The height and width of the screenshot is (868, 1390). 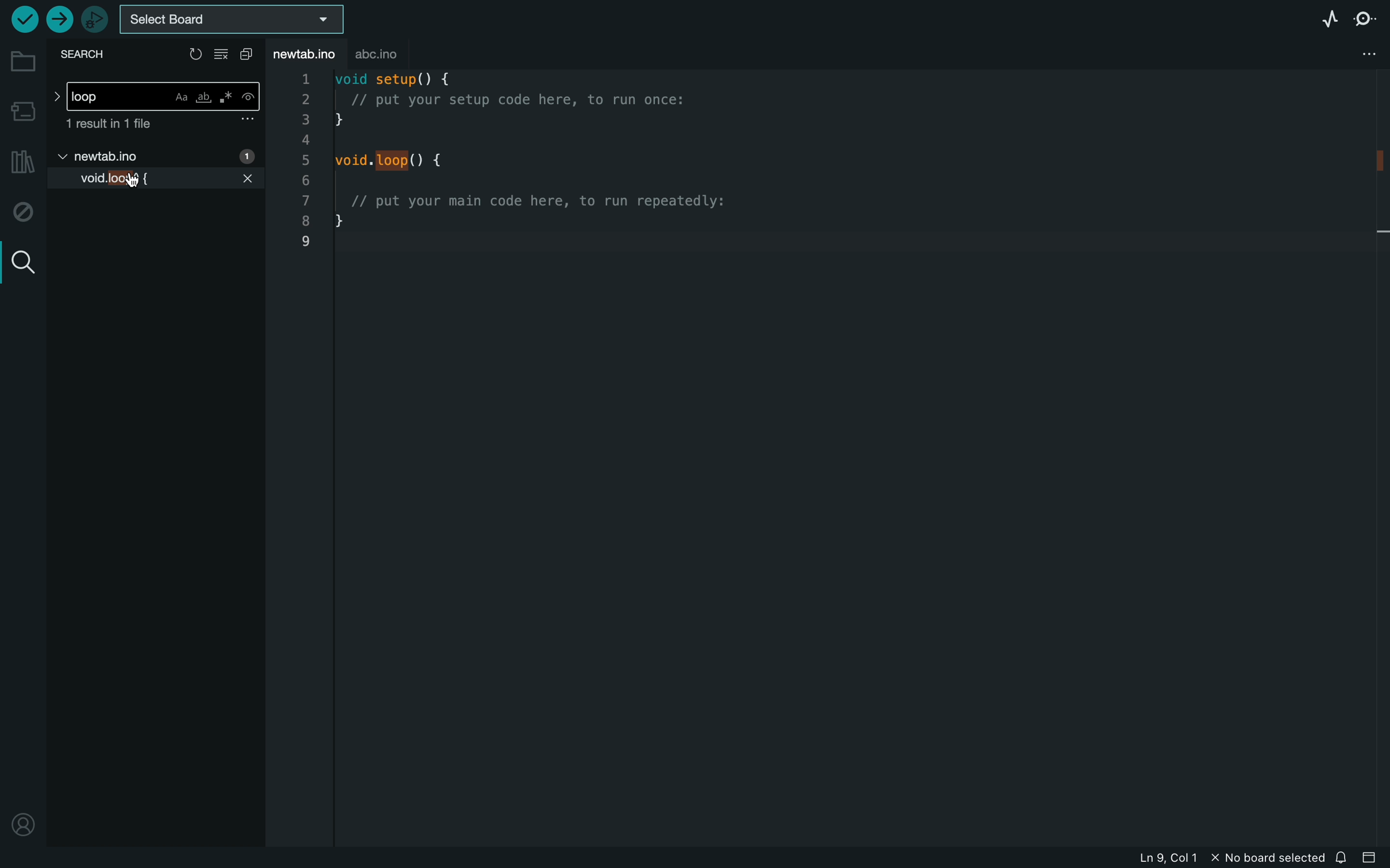 What do you see at coordinates (161, 125) in the screenshot?
I see `search file count` at bounding box center [161, 125].